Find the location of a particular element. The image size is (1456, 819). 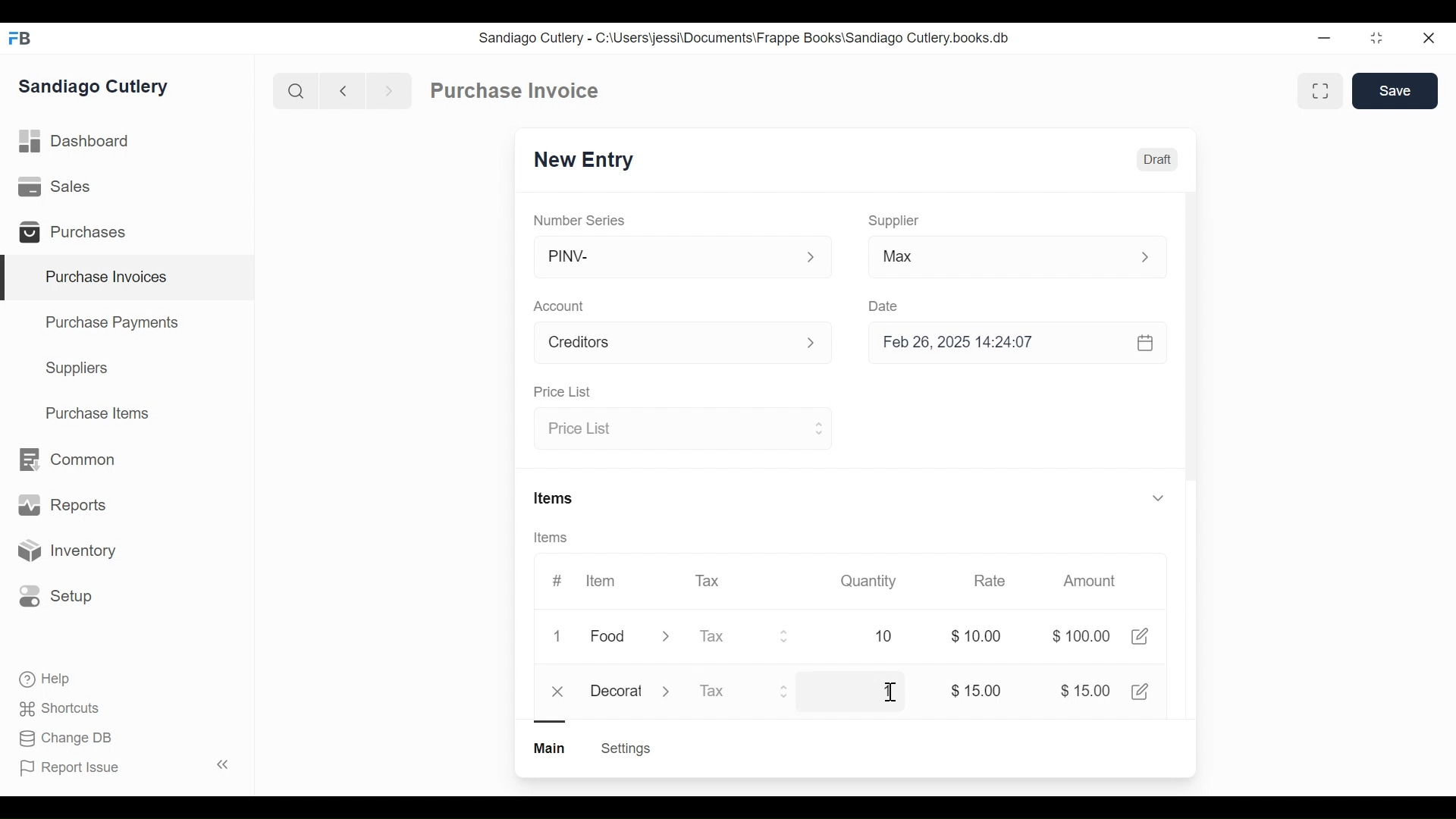

10 is located at coordinates (866, 636).